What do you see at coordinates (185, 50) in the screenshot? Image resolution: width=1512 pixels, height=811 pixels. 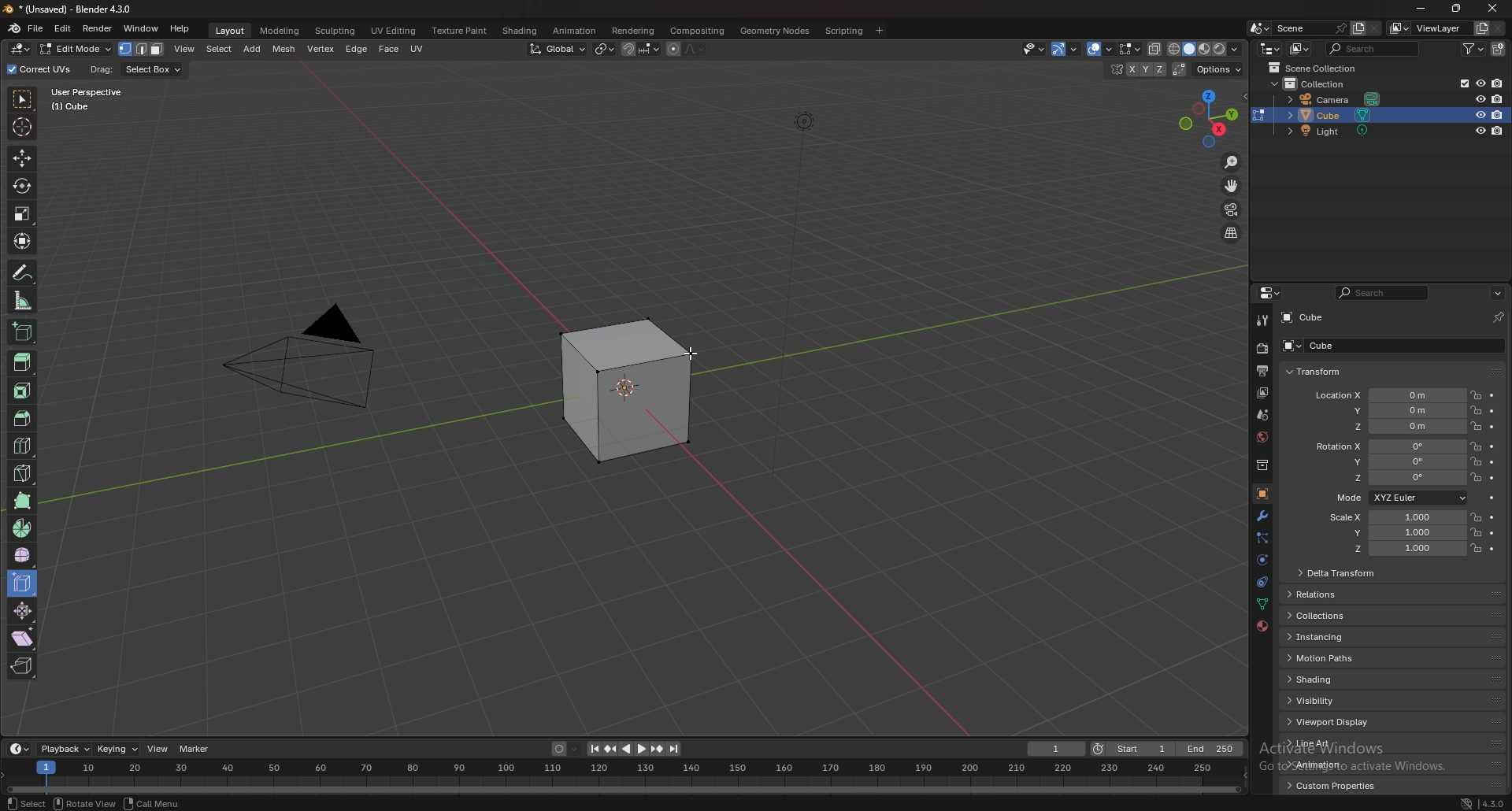 I see `view` at bounding box center [185, 50].